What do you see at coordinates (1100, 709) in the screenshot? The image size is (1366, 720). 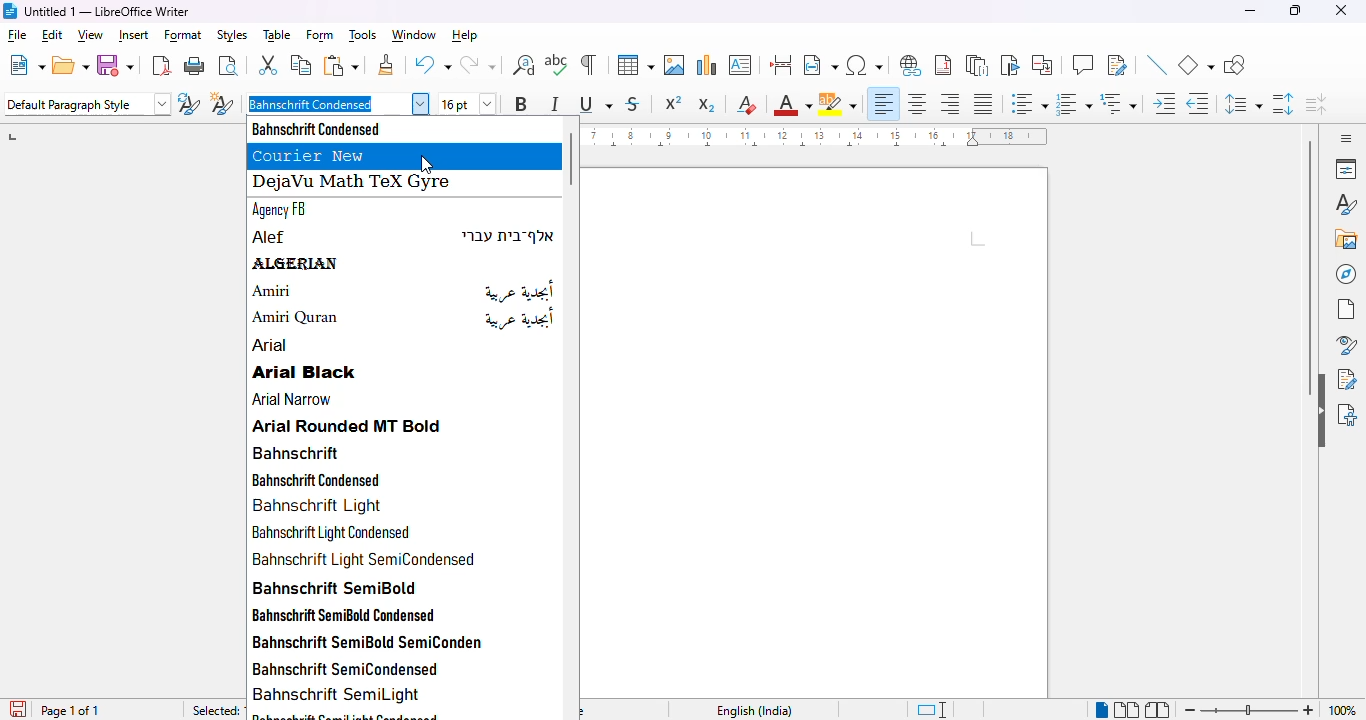 I see `single-page view` at bounding box center [1100, 709].